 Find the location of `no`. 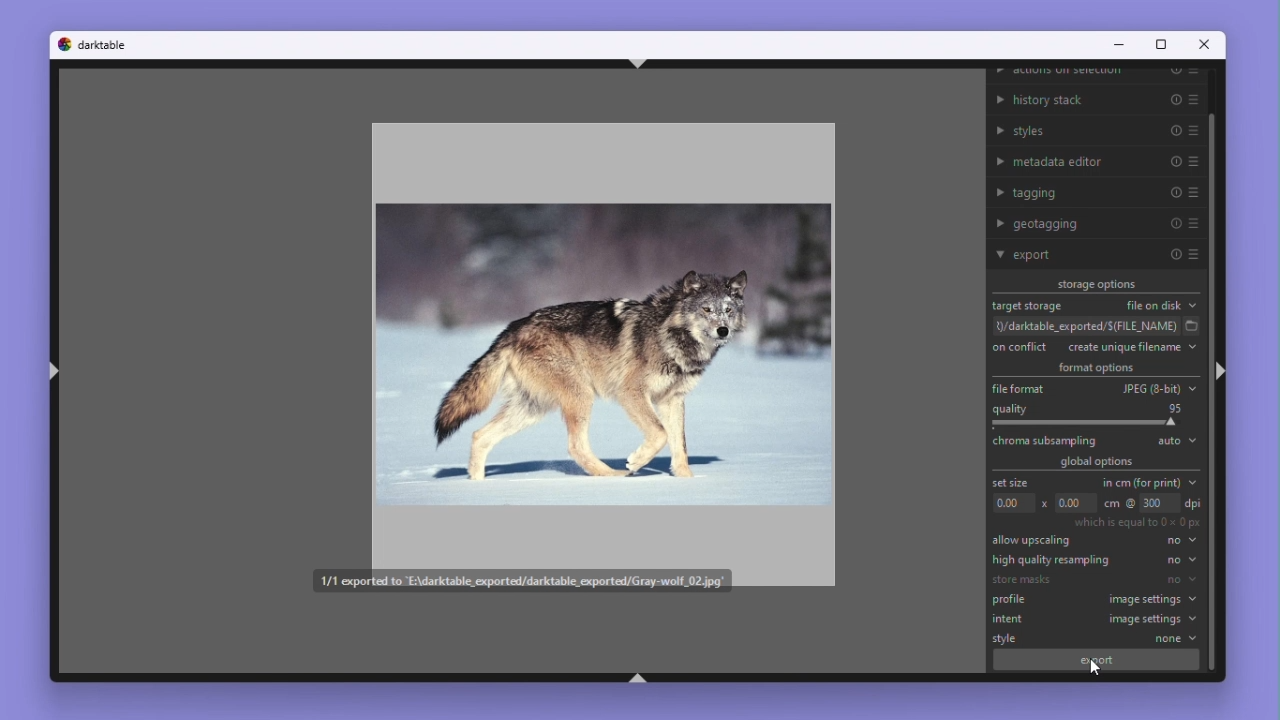

no is located at coordinates (1183, 559).